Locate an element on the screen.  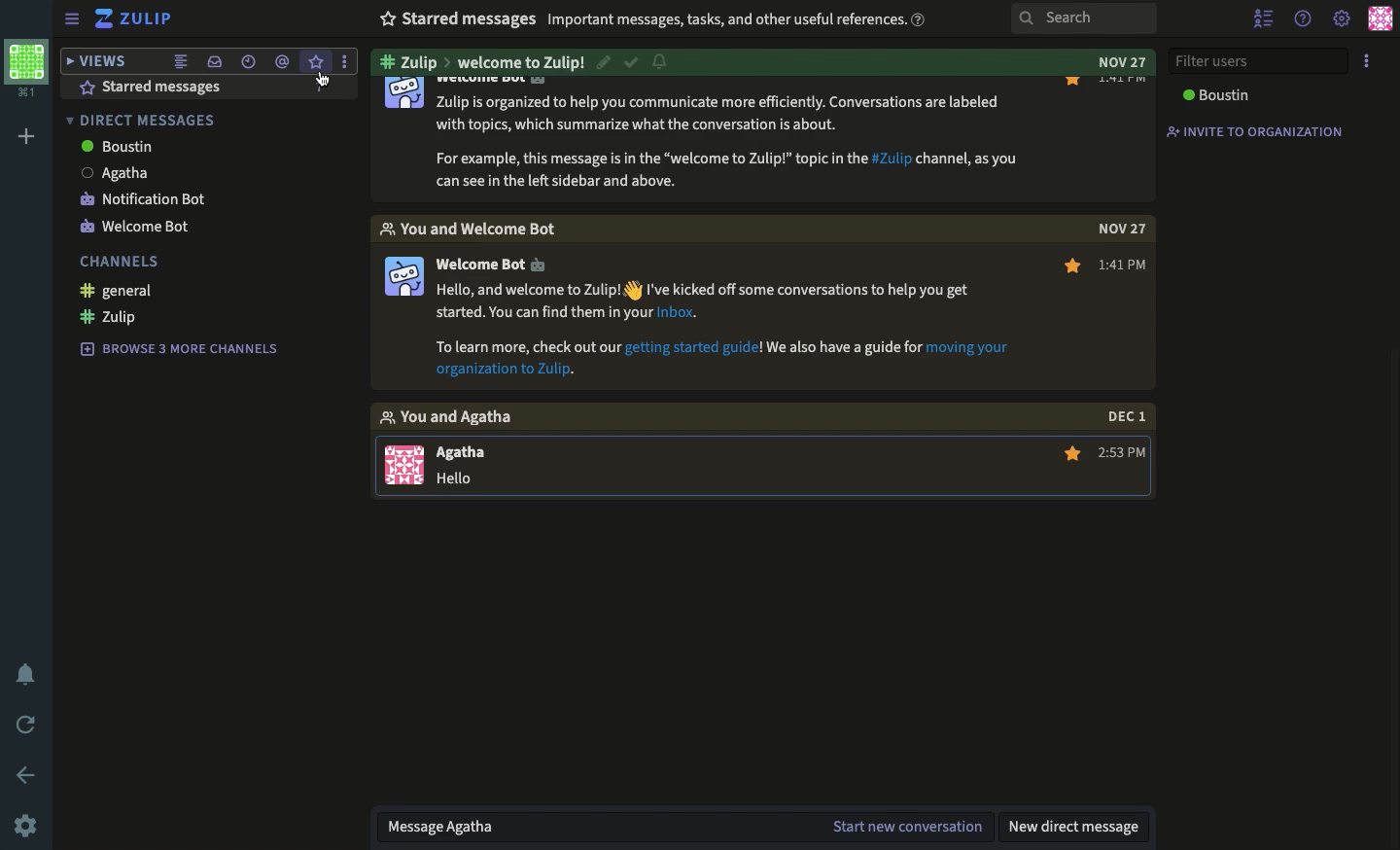
notification bot is located at coordinates (136, 200).